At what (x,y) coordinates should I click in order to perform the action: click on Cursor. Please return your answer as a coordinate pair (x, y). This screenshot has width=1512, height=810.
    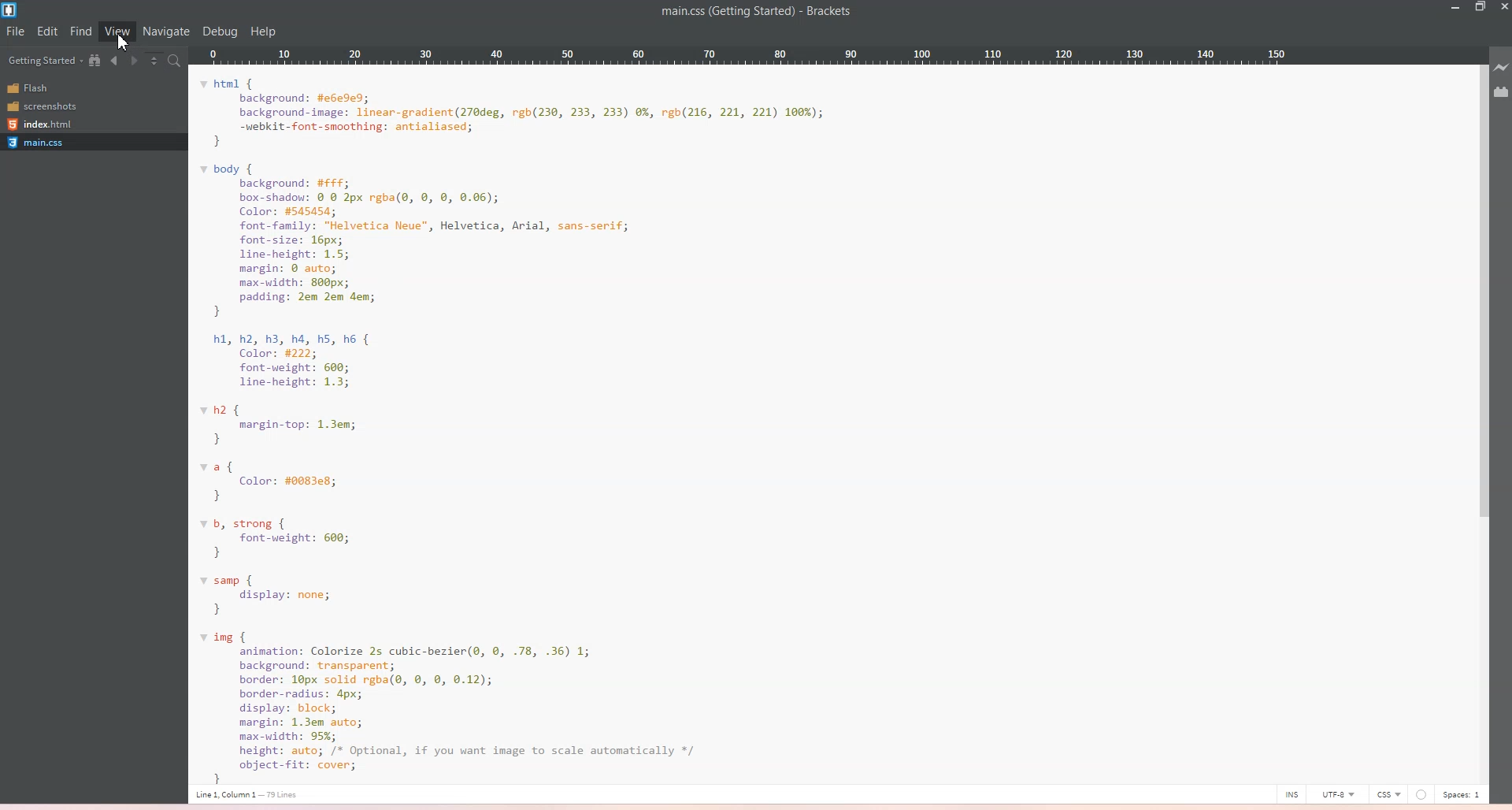
    Looking at the image, I should click on (128, 42).